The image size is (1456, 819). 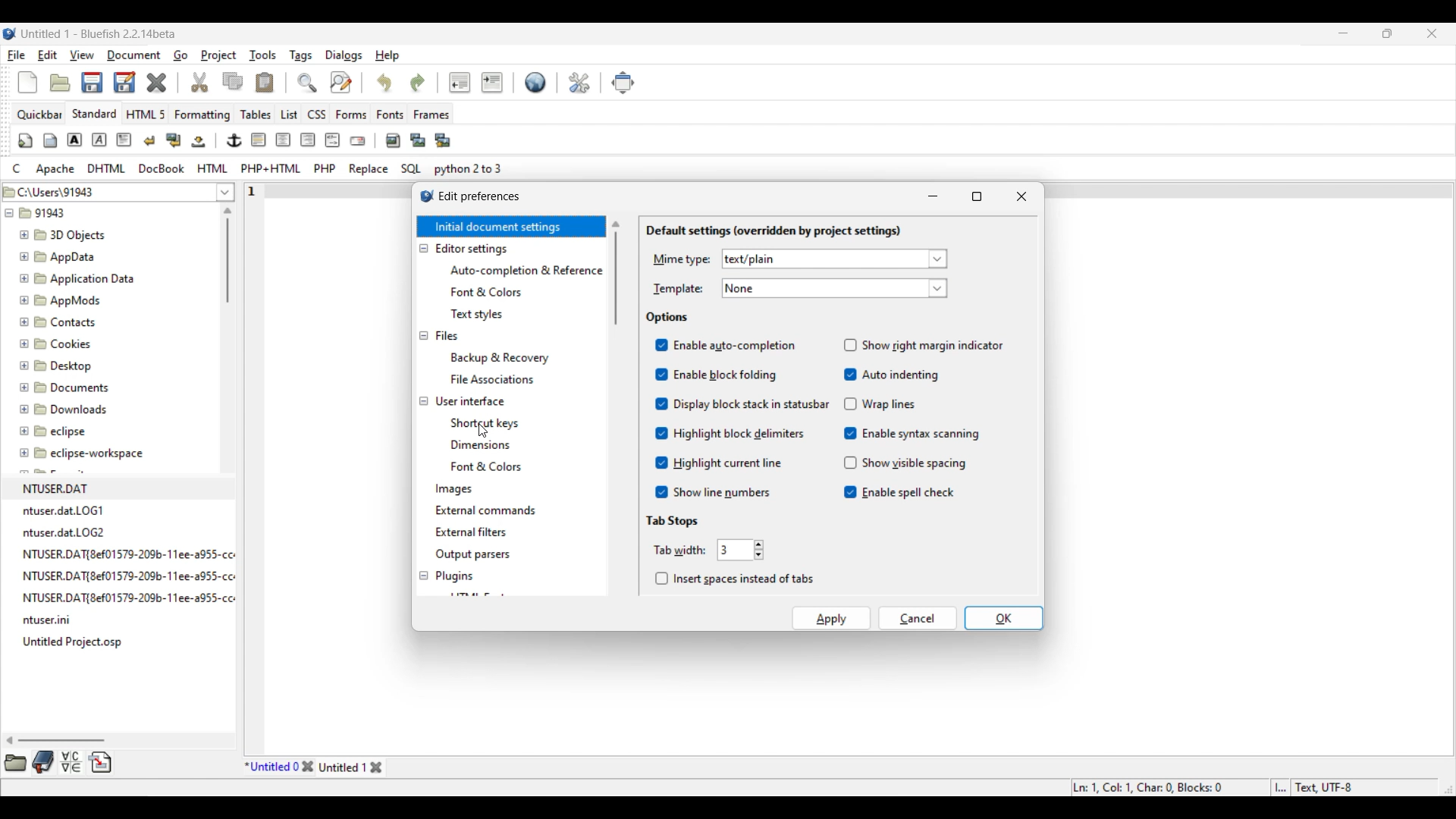 I want to click on Project name, software name and version, so click(x=99, y=33).